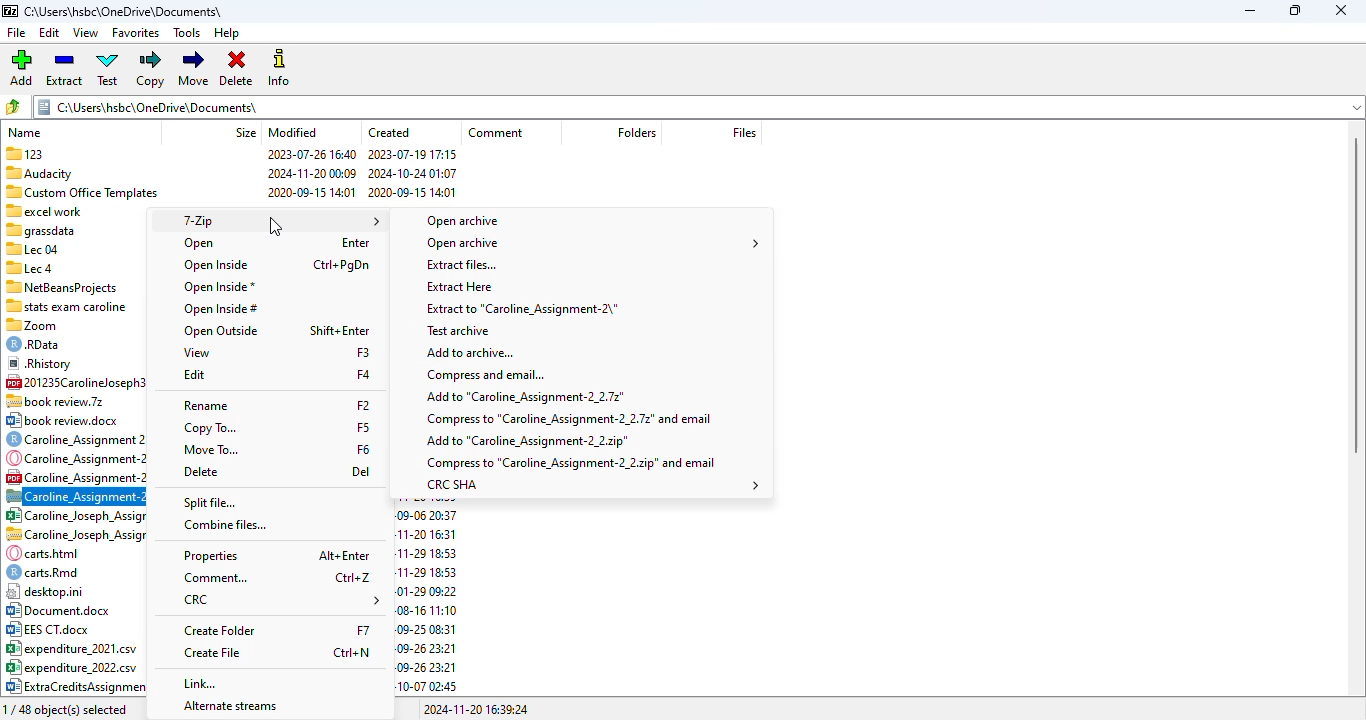  I want to click on shortcut for edit, so click(365, 375).